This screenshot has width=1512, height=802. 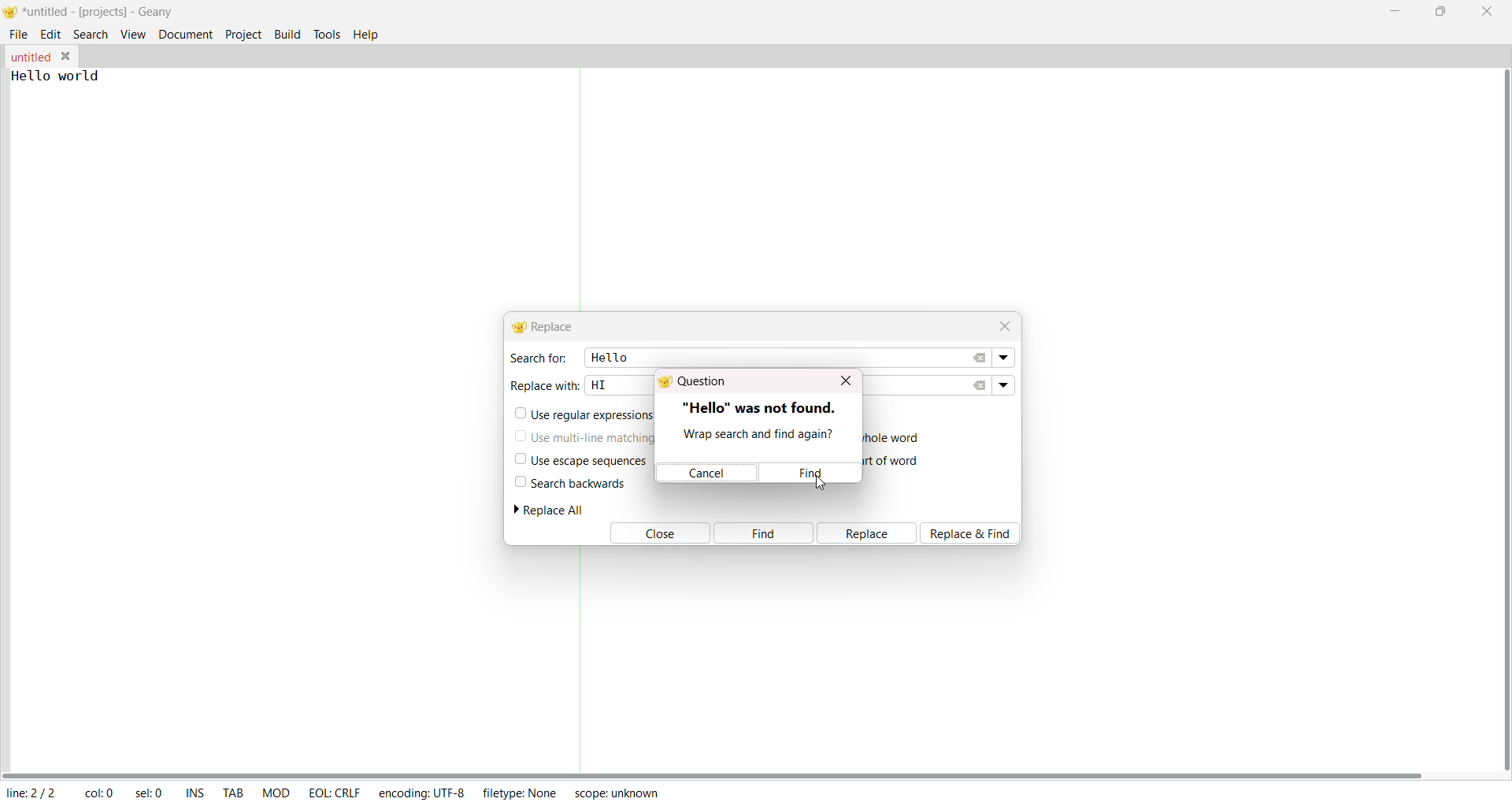 What do you see at coordinates (569, 483) in the screenshot?
I see `search backwards` at bounding box center [569, 483].